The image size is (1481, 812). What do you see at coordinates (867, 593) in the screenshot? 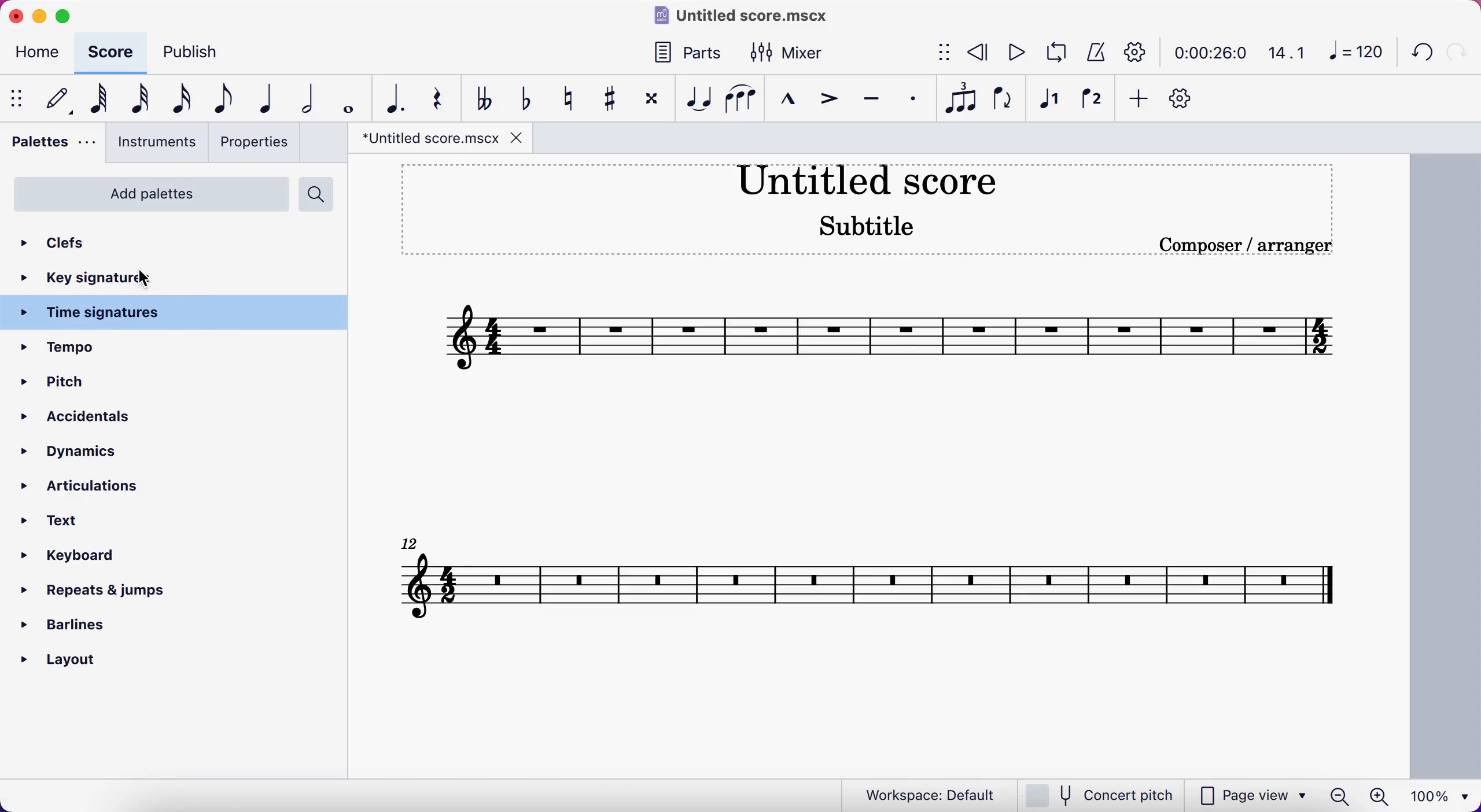
I see `score` at bounding box center [867, 593].